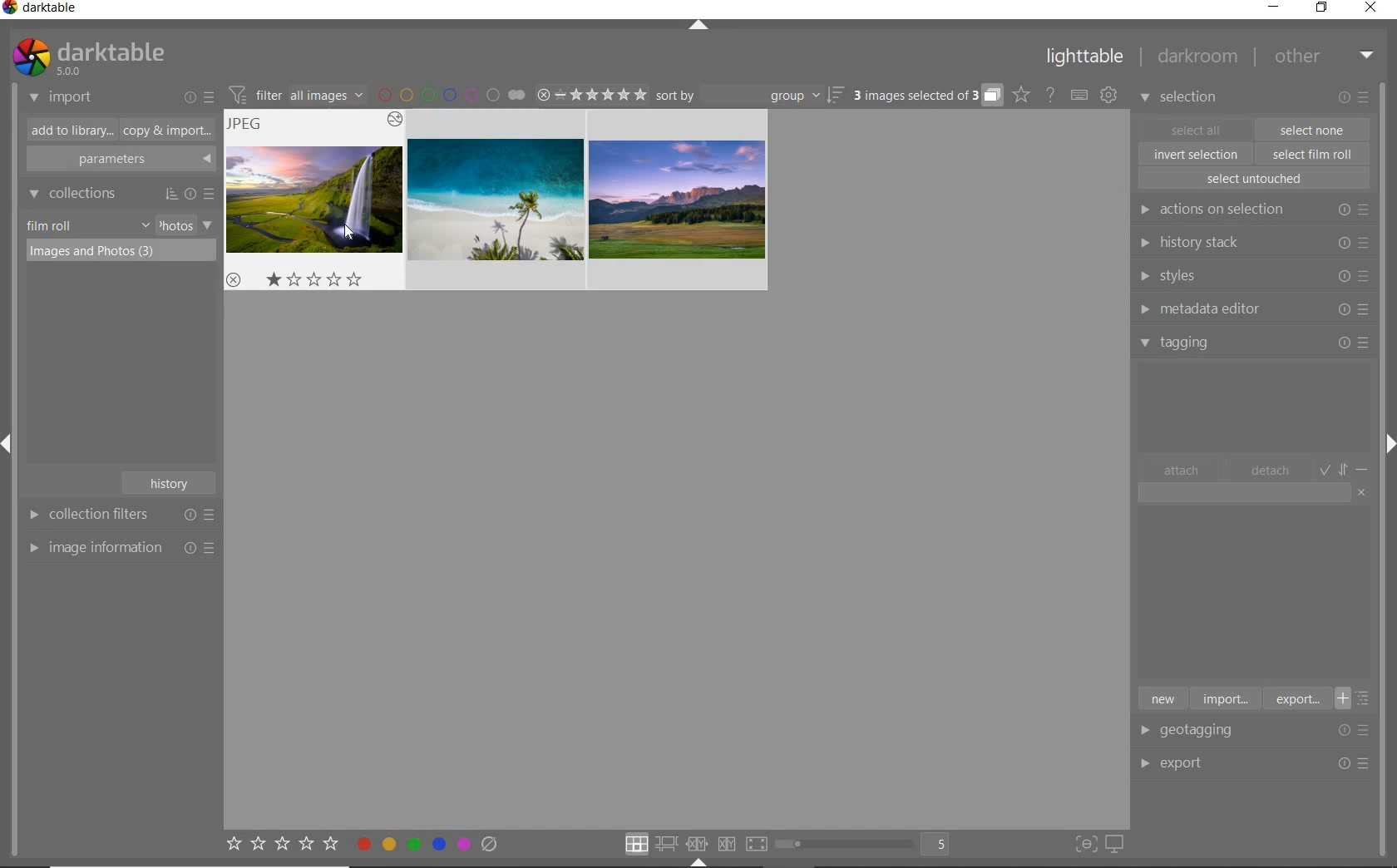 This screenshot has width=1397, height=868. I want to click on film roll, so click(51, 225).